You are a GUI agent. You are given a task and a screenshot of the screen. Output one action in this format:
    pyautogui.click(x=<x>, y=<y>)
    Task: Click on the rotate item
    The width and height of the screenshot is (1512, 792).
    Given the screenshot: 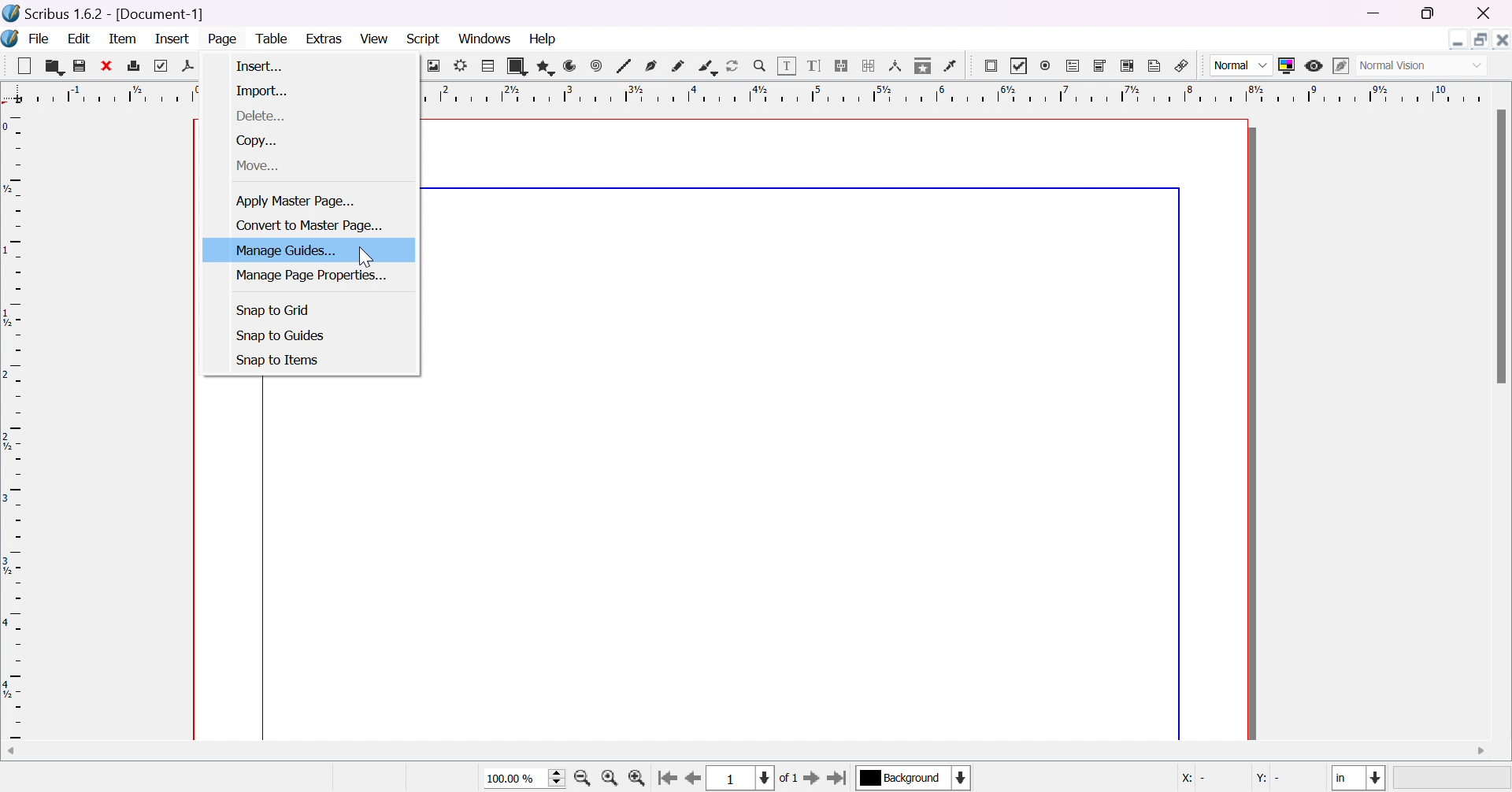 What is the action you would take?
    pyautogui.click(x=732, y=67)
    